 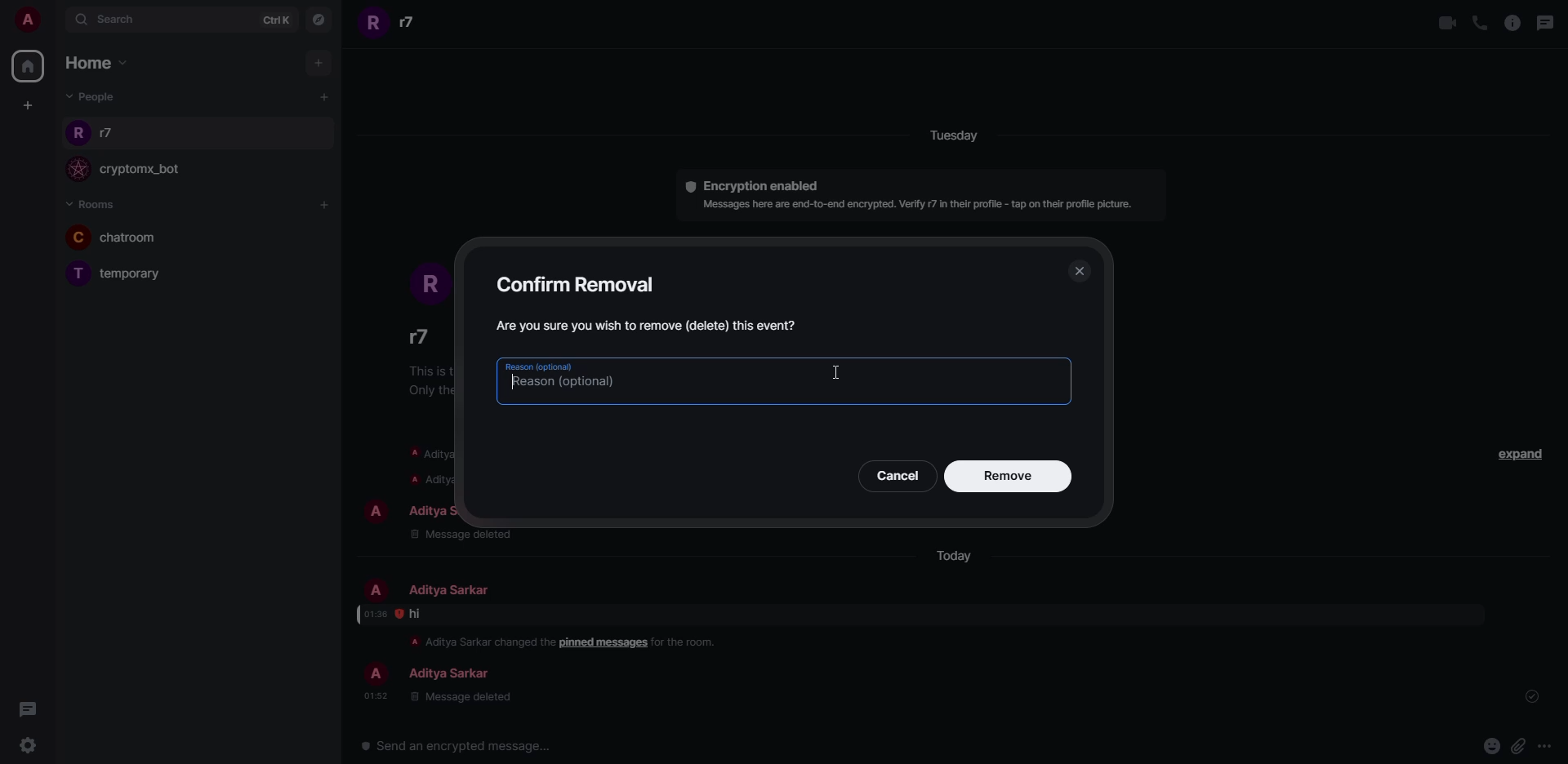 What do you see at coordinates (96, 63) in the screenshot?
I see `home` at bounding box center [96, 63].